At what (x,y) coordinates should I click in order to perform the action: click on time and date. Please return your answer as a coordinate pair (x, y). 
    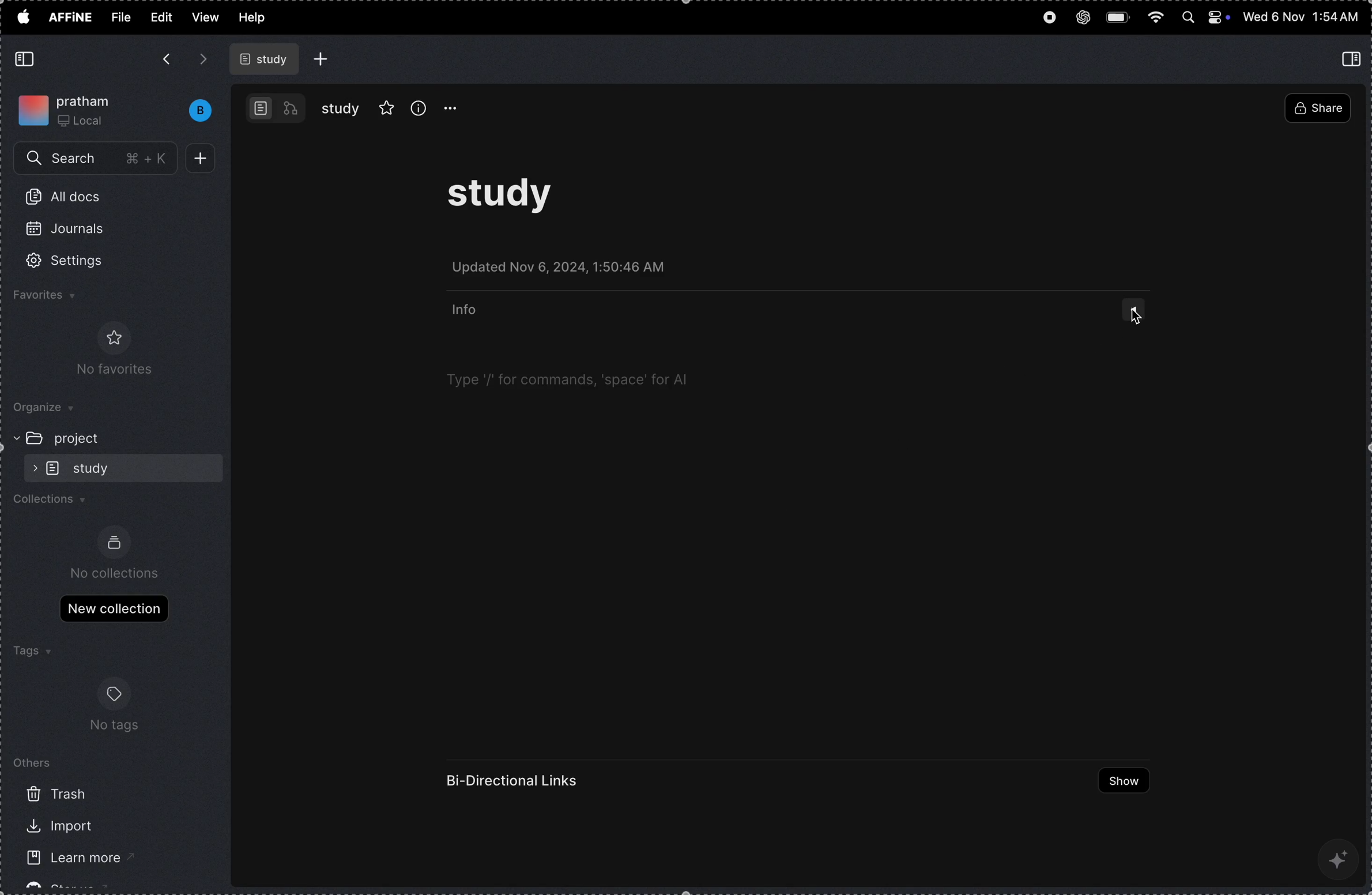
    Looking at the image, I should click on (1301, 17).